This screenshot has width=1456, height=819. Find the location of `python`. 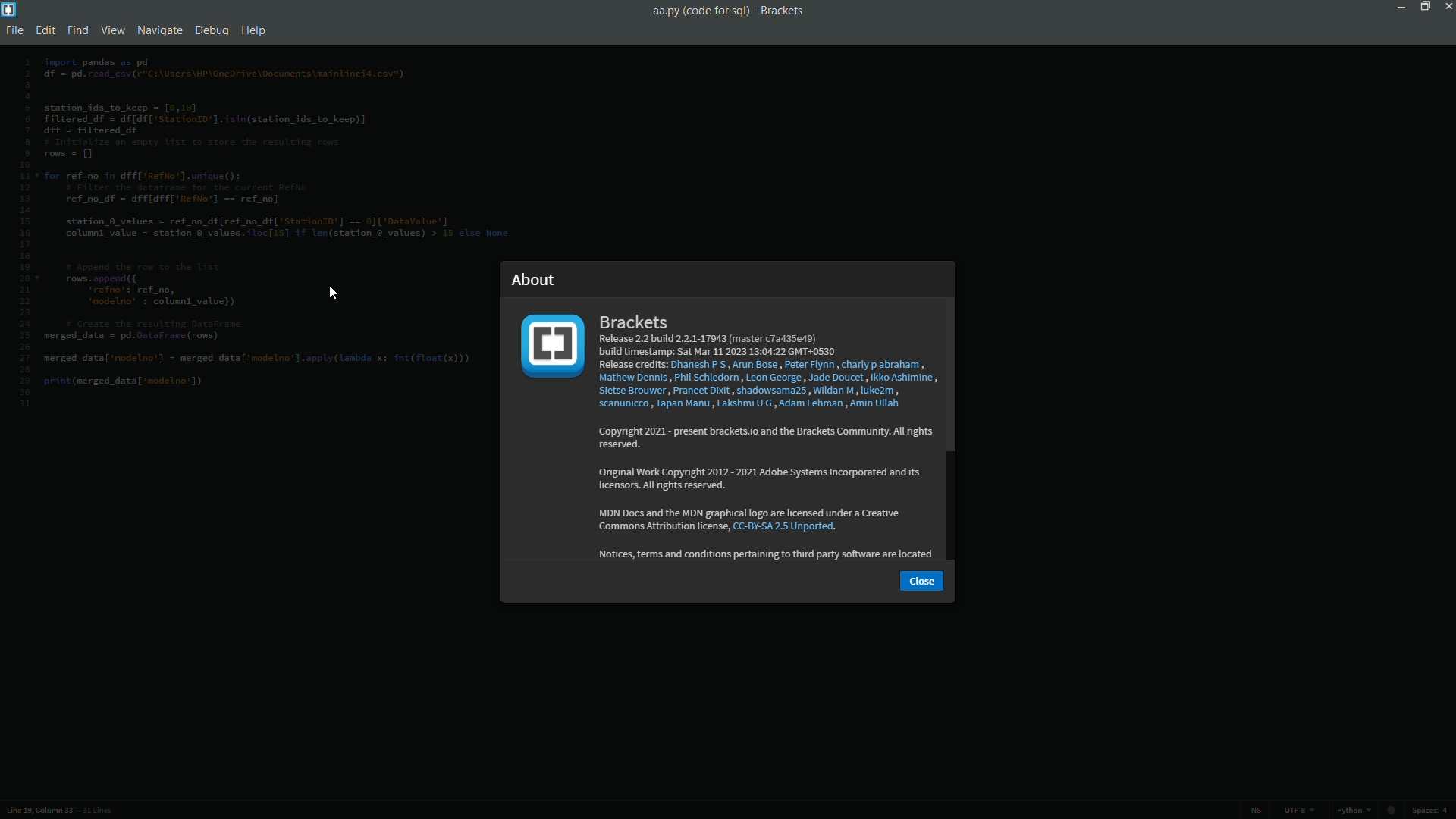

python is located at coordinates (1352, 810).